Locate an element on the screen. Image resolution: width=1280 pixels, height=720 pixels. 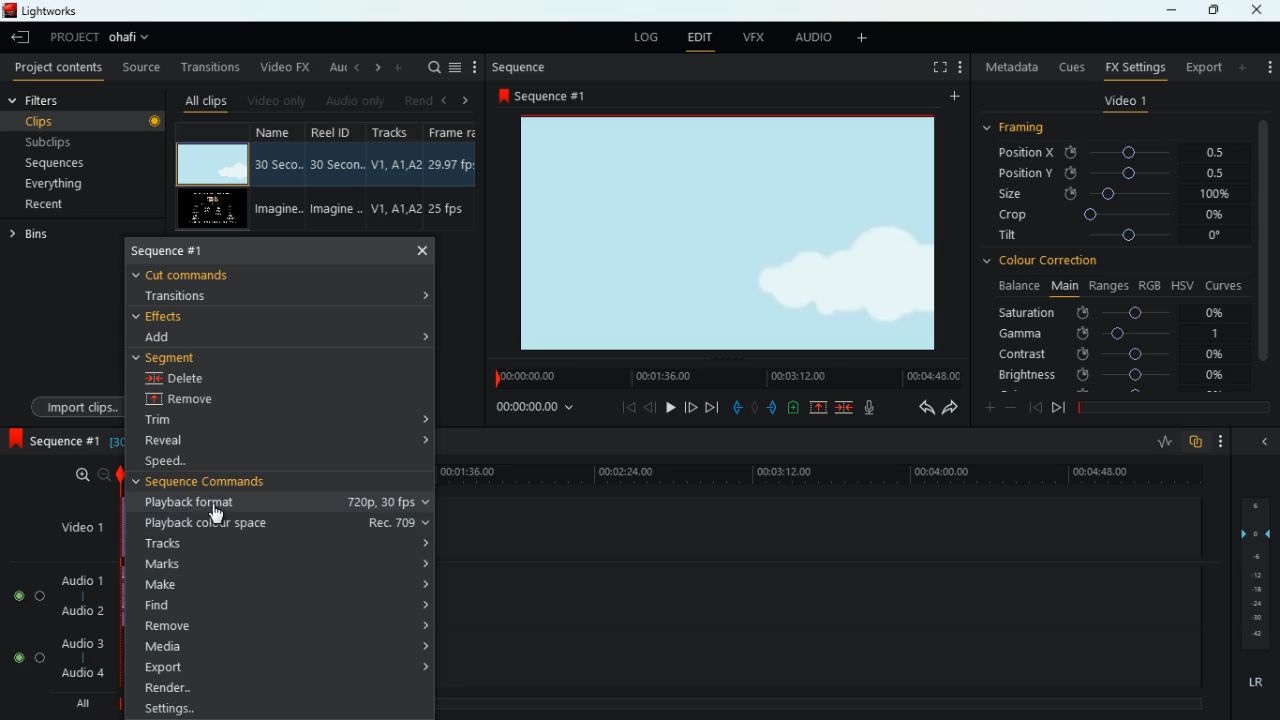
contrast is located at coordinates (1110, 355).